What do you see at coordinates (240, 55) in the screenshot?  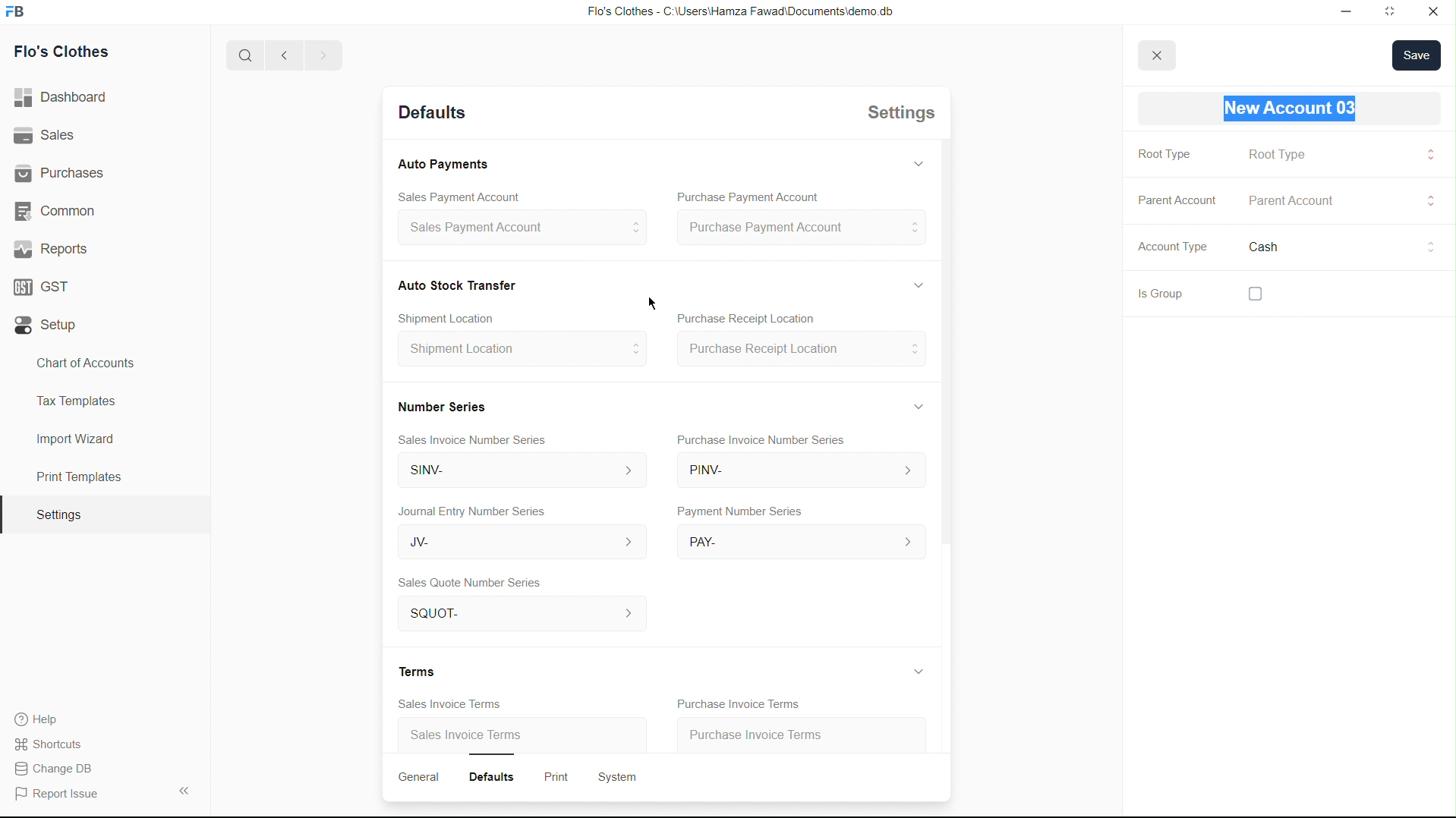 I see `Search` at bounding box center [240, 55].